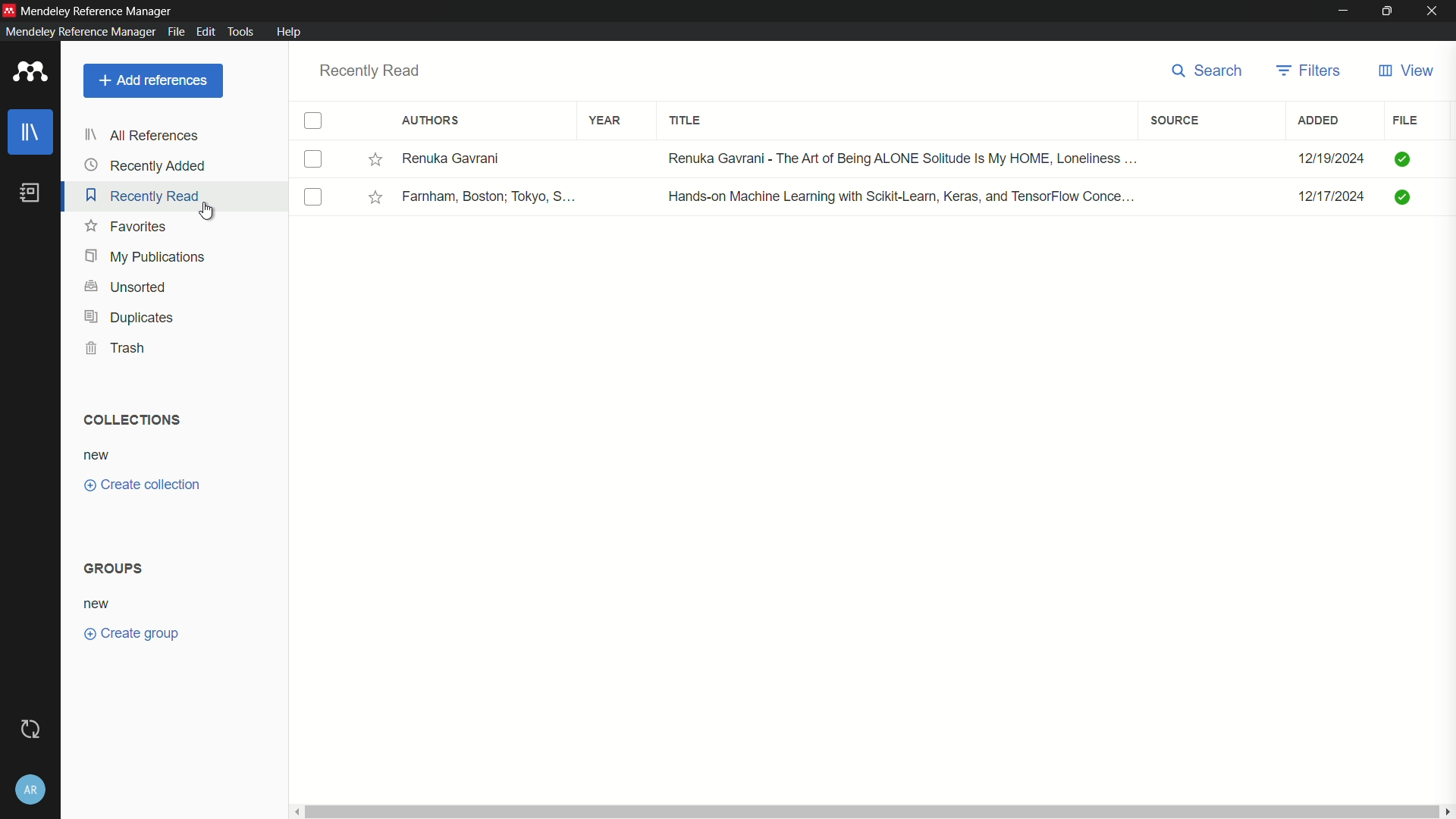 The height and width of the screenshot is (819, 1456). What do you see at coordinates (112, 567) in the screenshot?
I see `groups` at bounding box center [112, 567].